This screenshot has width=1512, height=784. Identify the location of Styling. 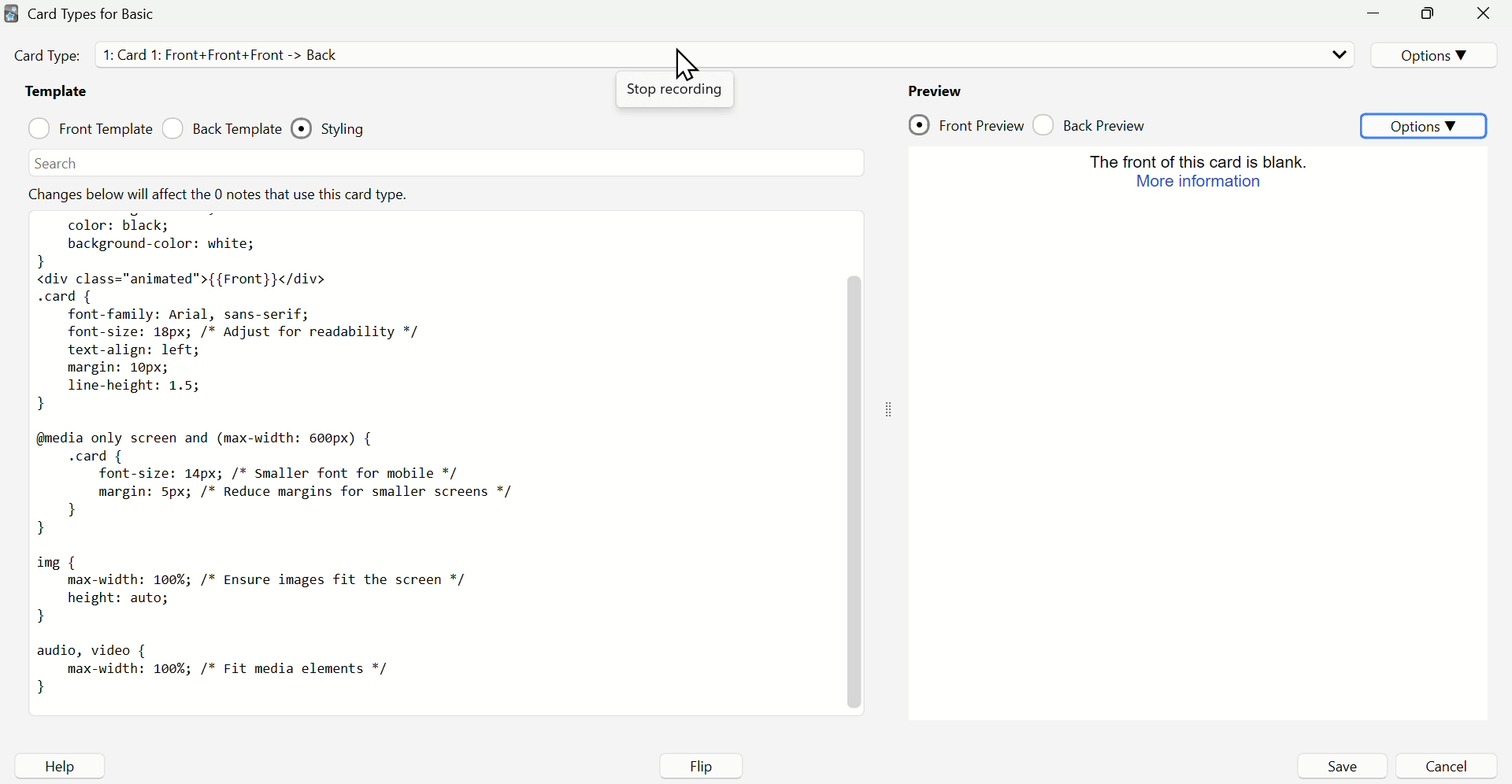
(341, 125).